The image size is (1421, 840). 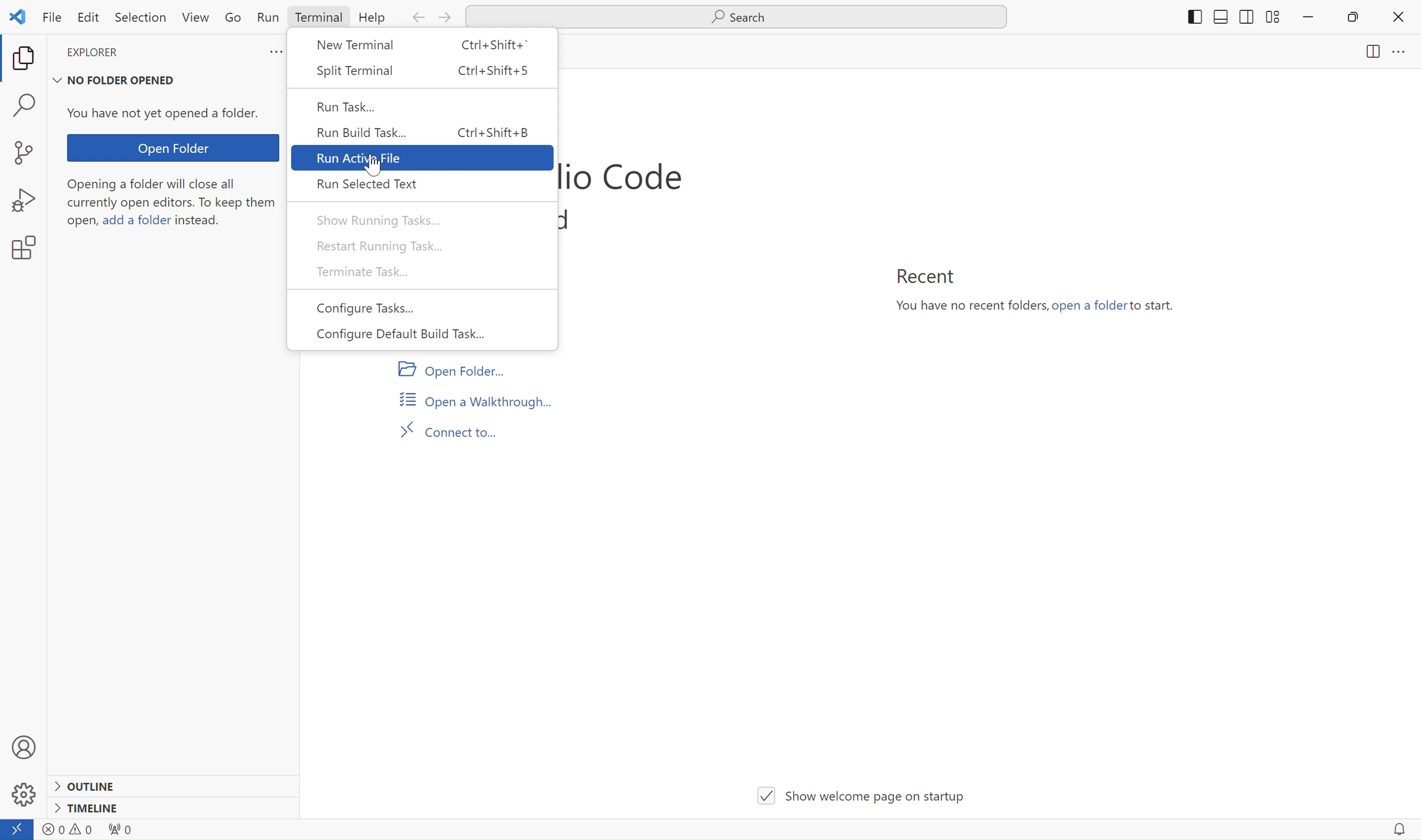 I want to click on run selected text, so click(x=424, y=184).